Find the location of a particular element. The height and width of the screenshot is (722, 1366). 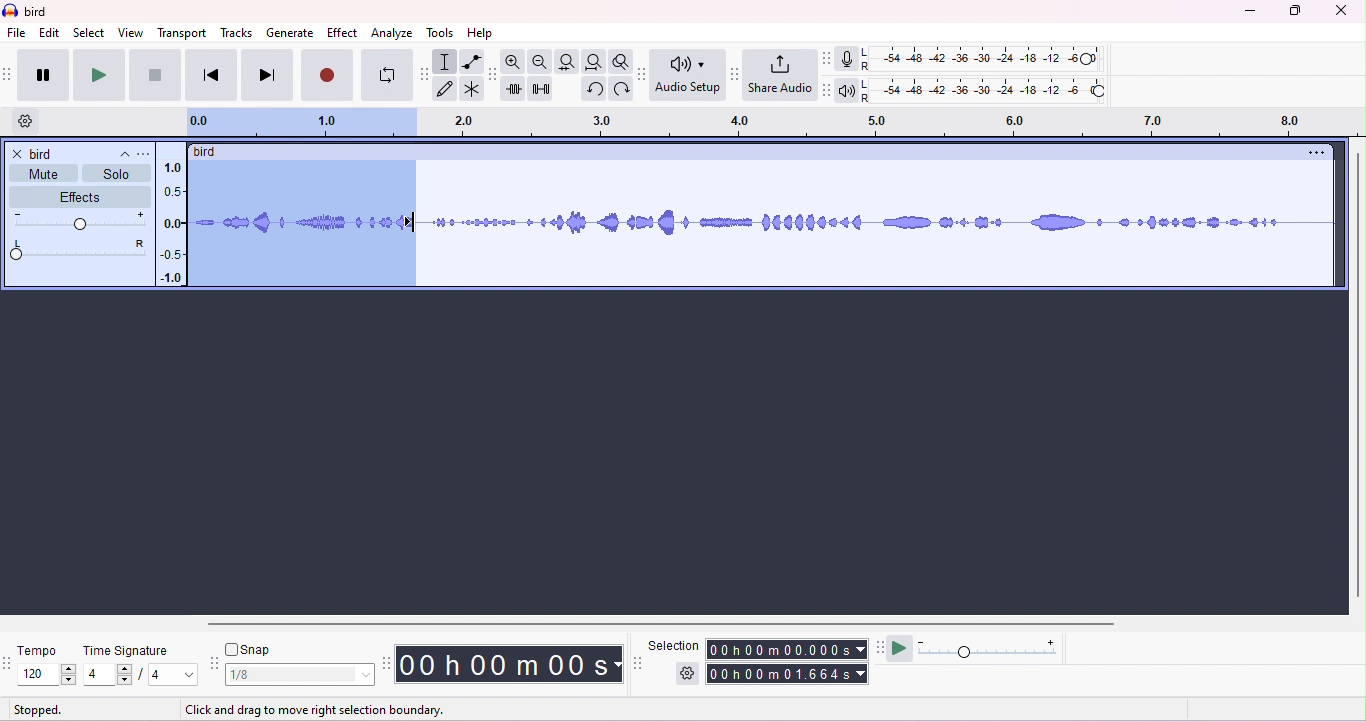

vertical scroll bar is located at coordinates (1356, 376).